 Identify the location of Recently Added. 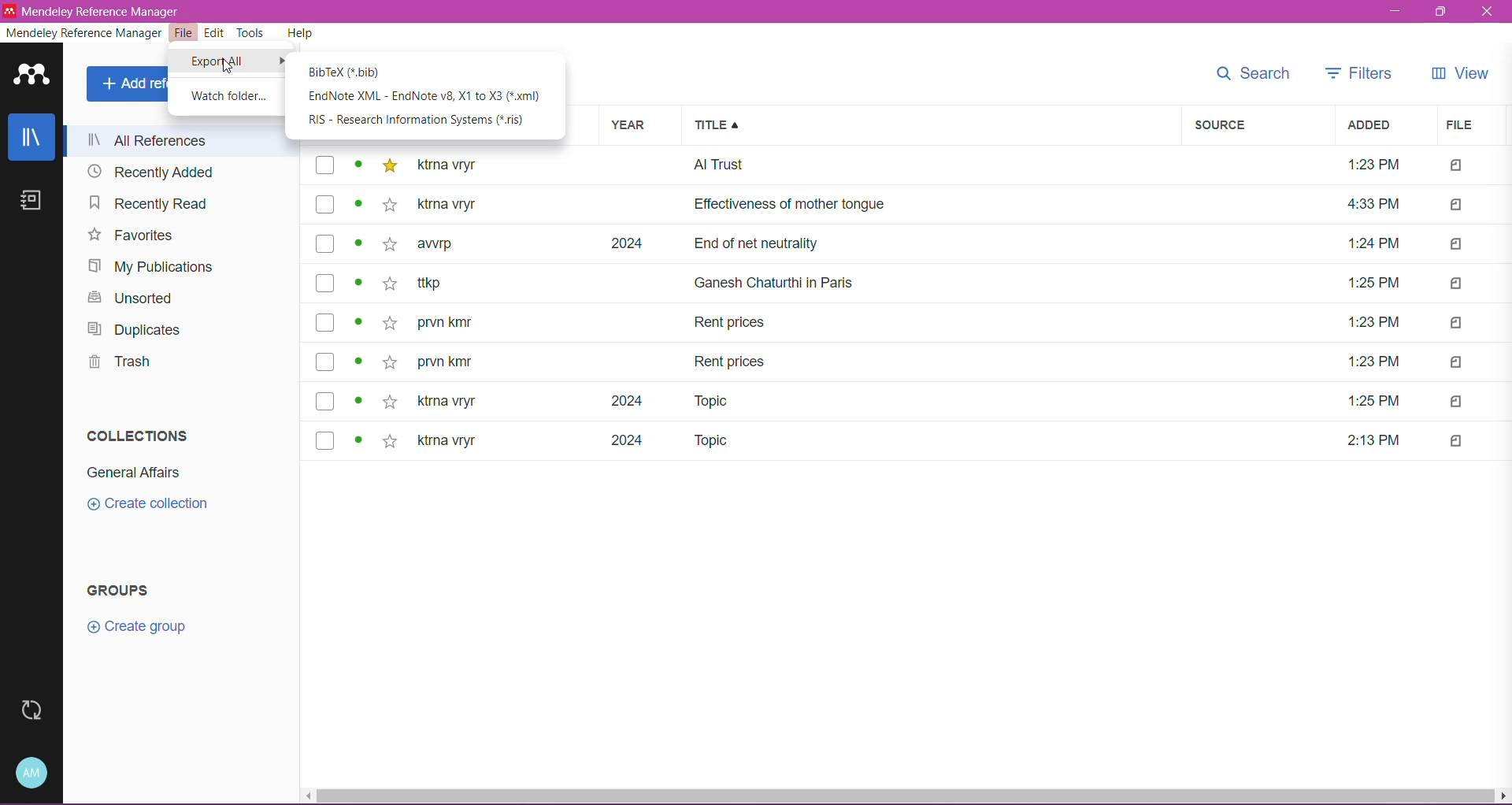
(146, 173).